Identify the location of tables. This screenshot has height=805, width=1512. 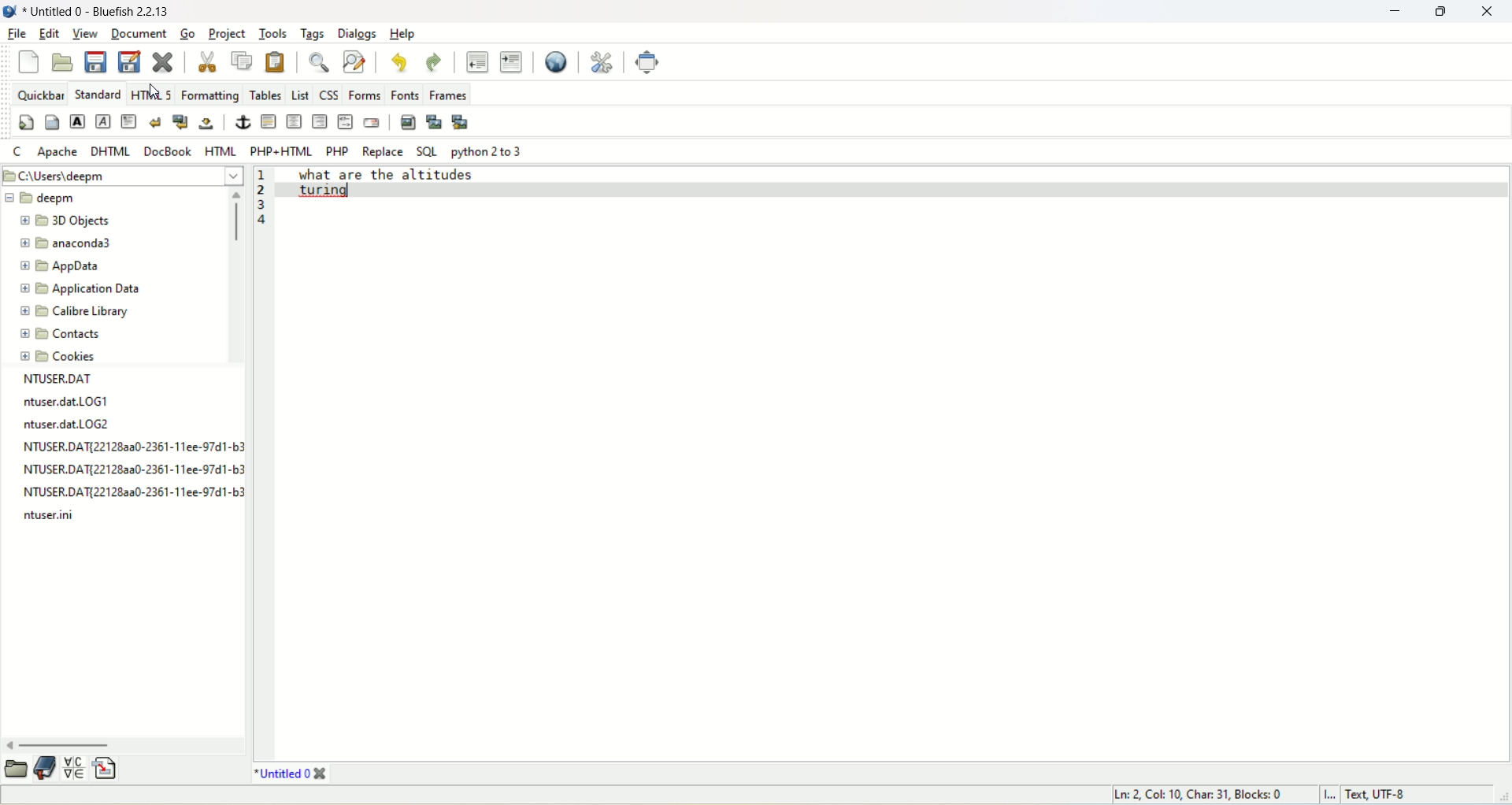
(266, 95).